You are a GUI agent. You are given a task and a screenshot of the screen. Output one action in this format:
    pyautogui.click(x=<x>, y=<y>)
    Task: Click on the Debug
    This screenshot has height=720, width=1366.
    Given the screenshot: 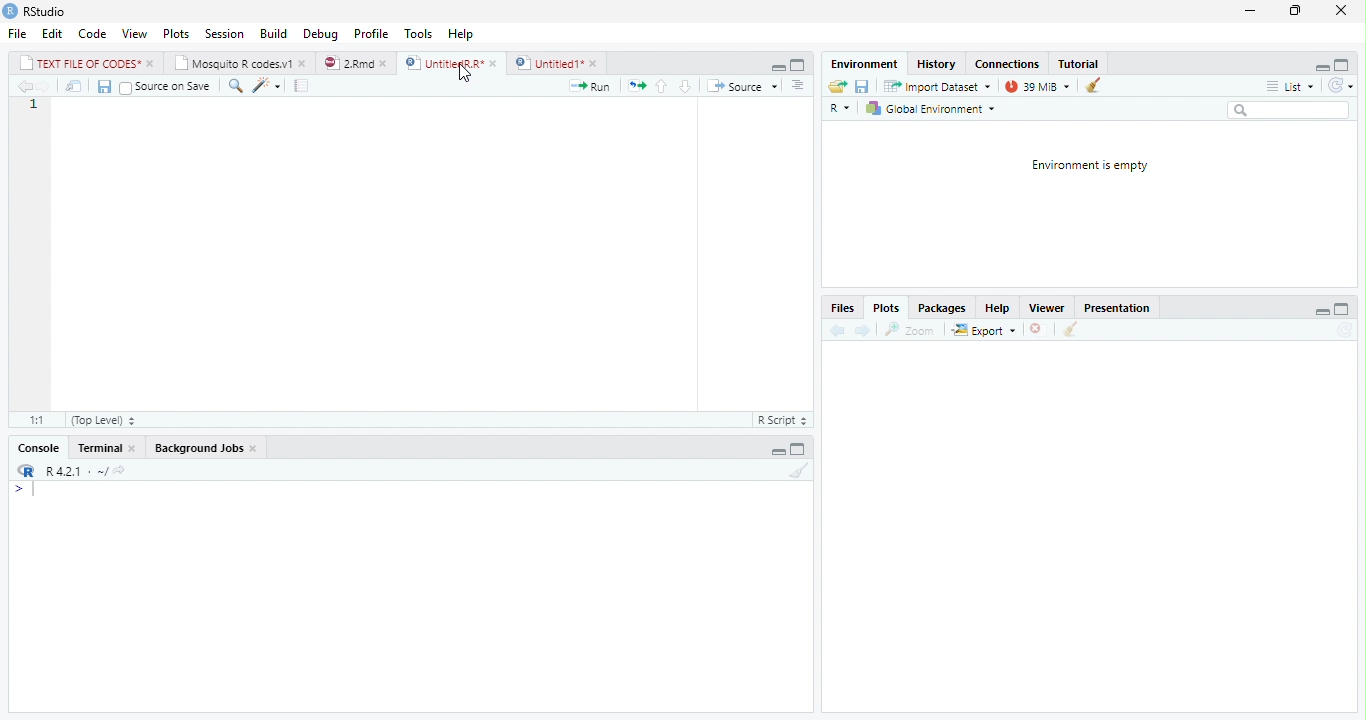 What is the action you would take?
    pyautogui.click(x=319, y=35)
    